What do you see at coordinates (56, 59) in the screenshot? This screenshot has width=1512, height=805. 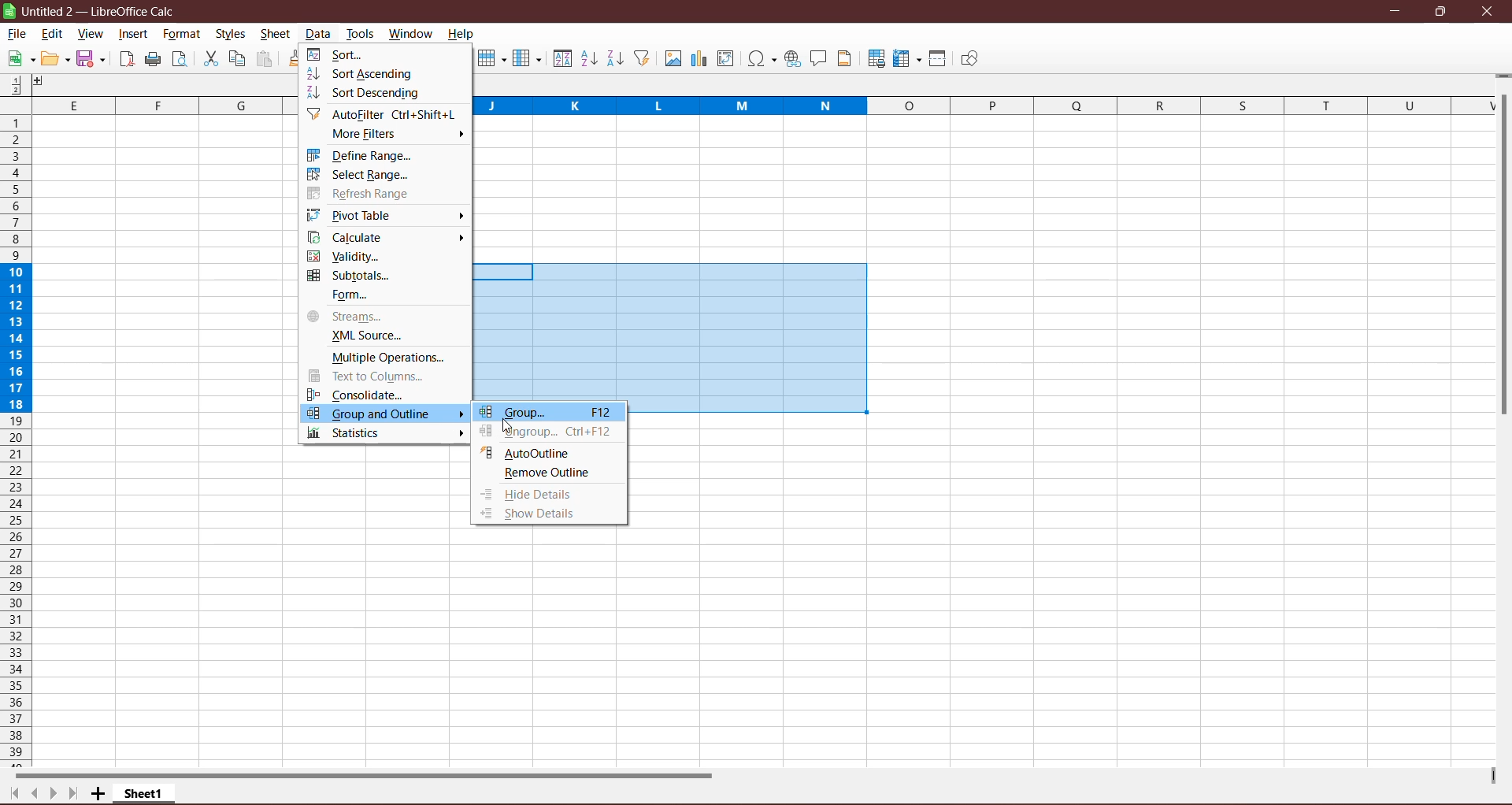 I see `Edit` at bounding box center [56, 59].